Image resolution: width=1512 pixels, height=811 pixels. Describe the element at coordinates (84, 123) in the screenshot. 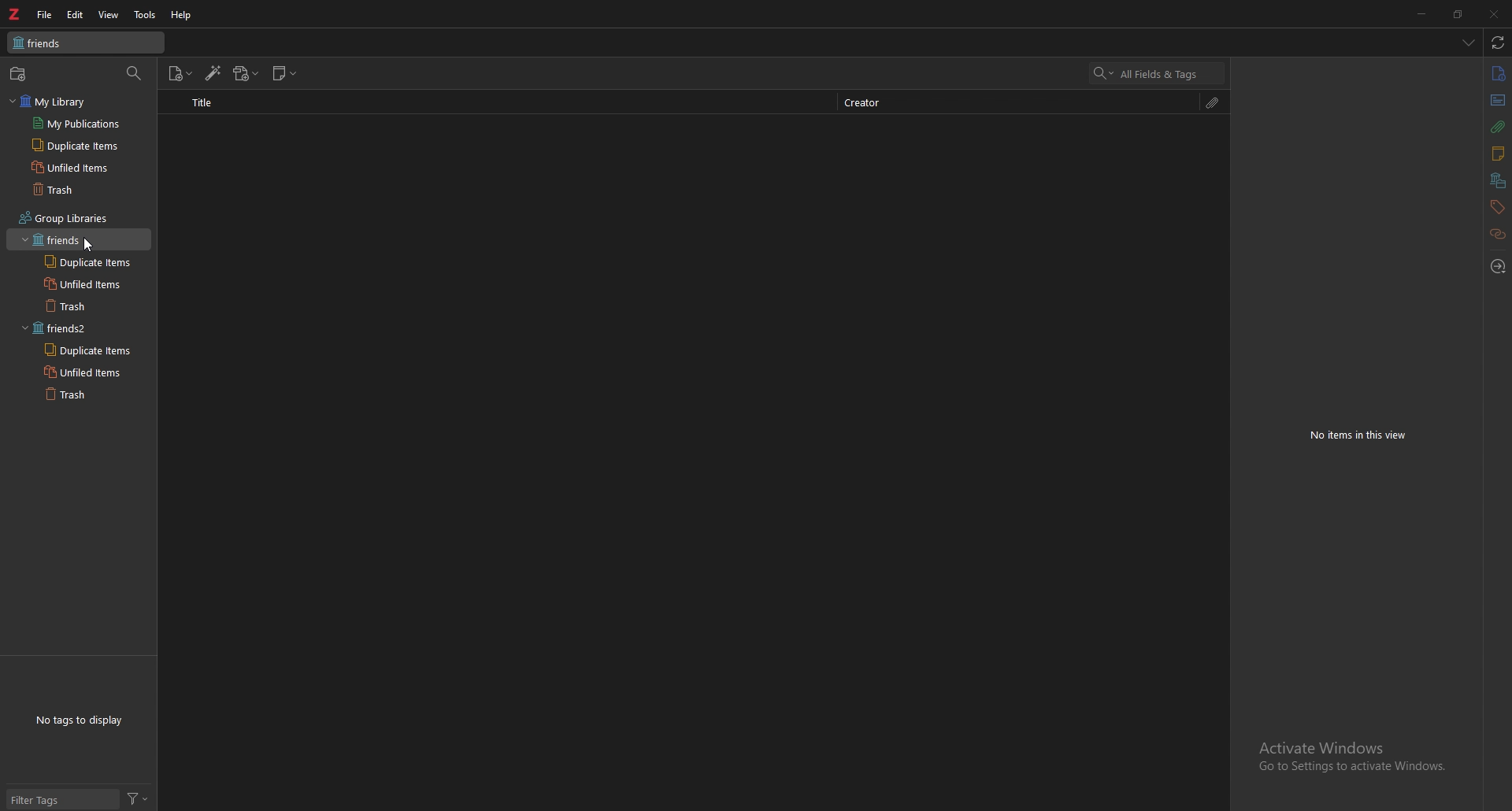

I see `my publications` at that location.